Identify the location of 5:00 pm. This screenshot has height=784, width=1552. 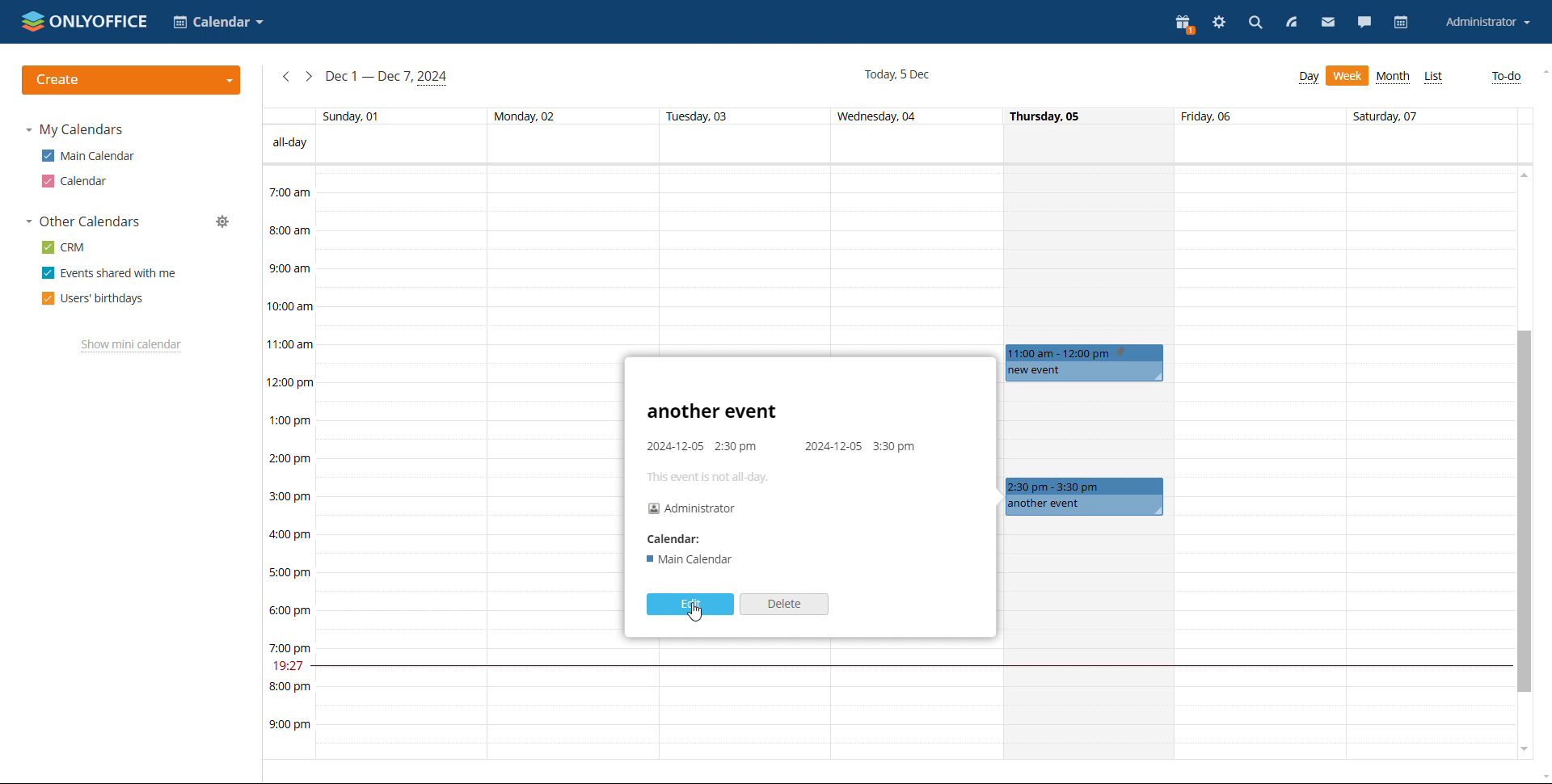
(289, 571).